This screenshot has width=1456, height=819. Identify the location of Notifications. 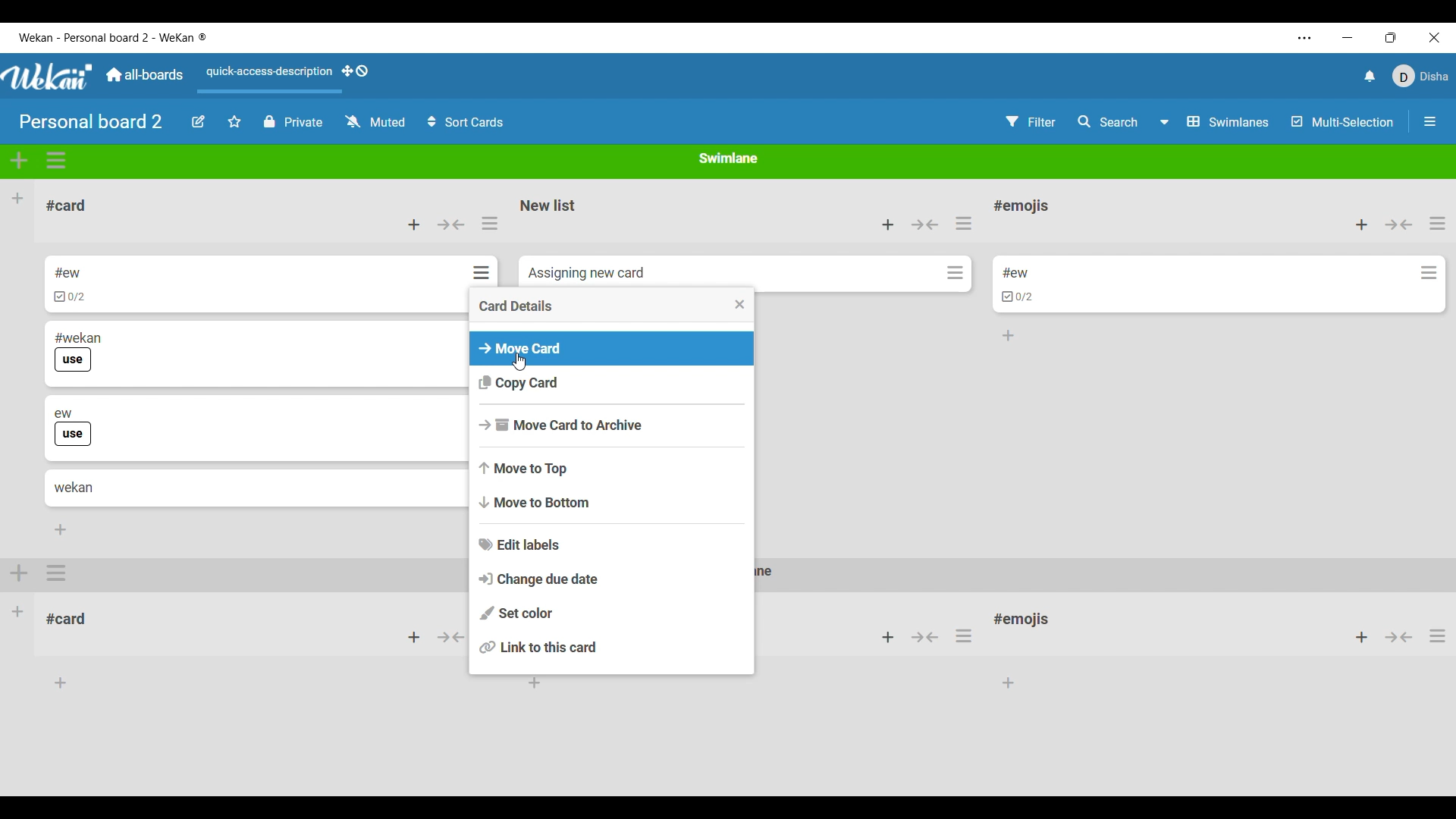
(1370, 76).